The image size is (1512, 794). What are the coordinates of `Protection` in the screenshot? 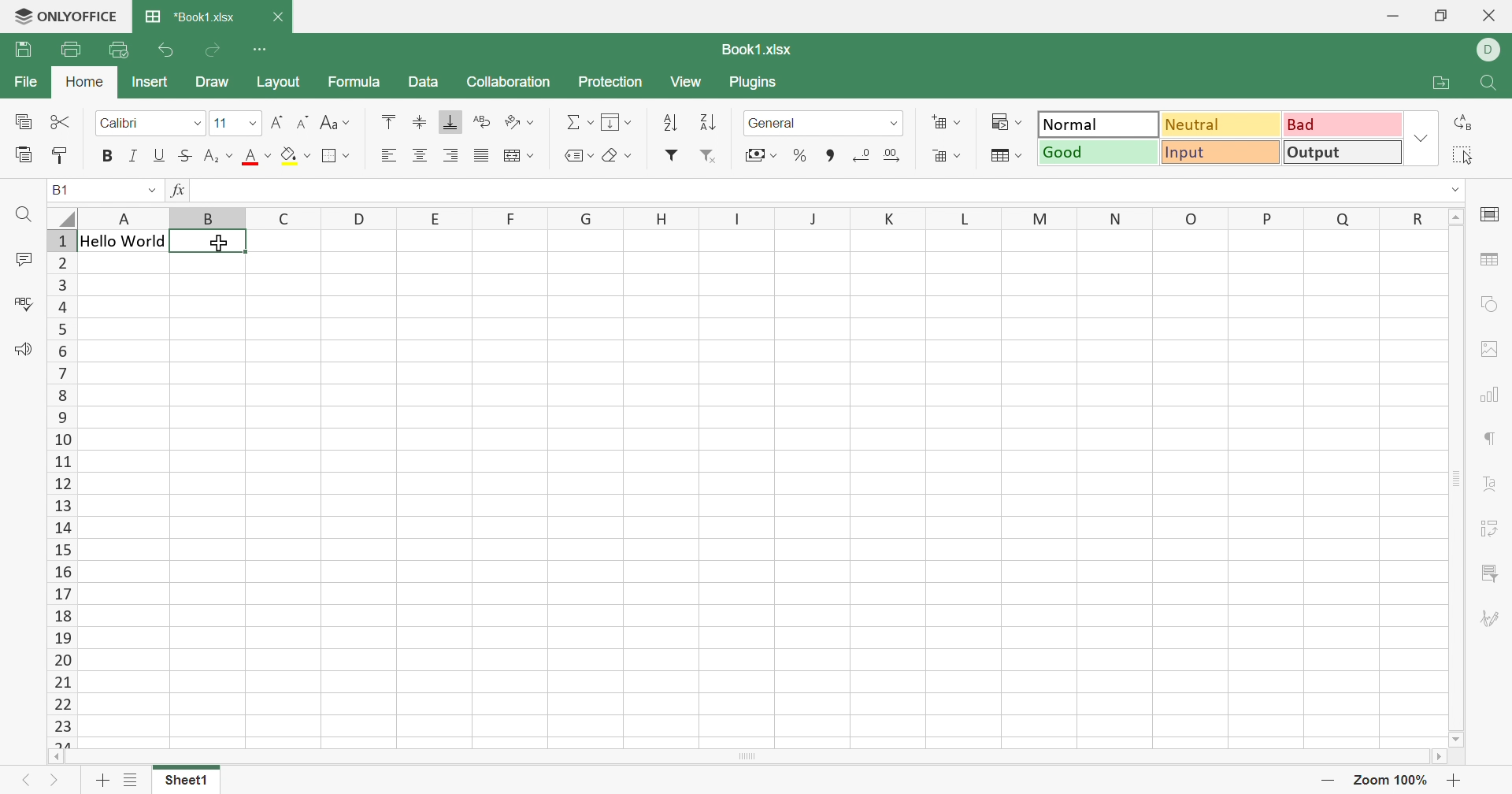 It's located at (609, 82).